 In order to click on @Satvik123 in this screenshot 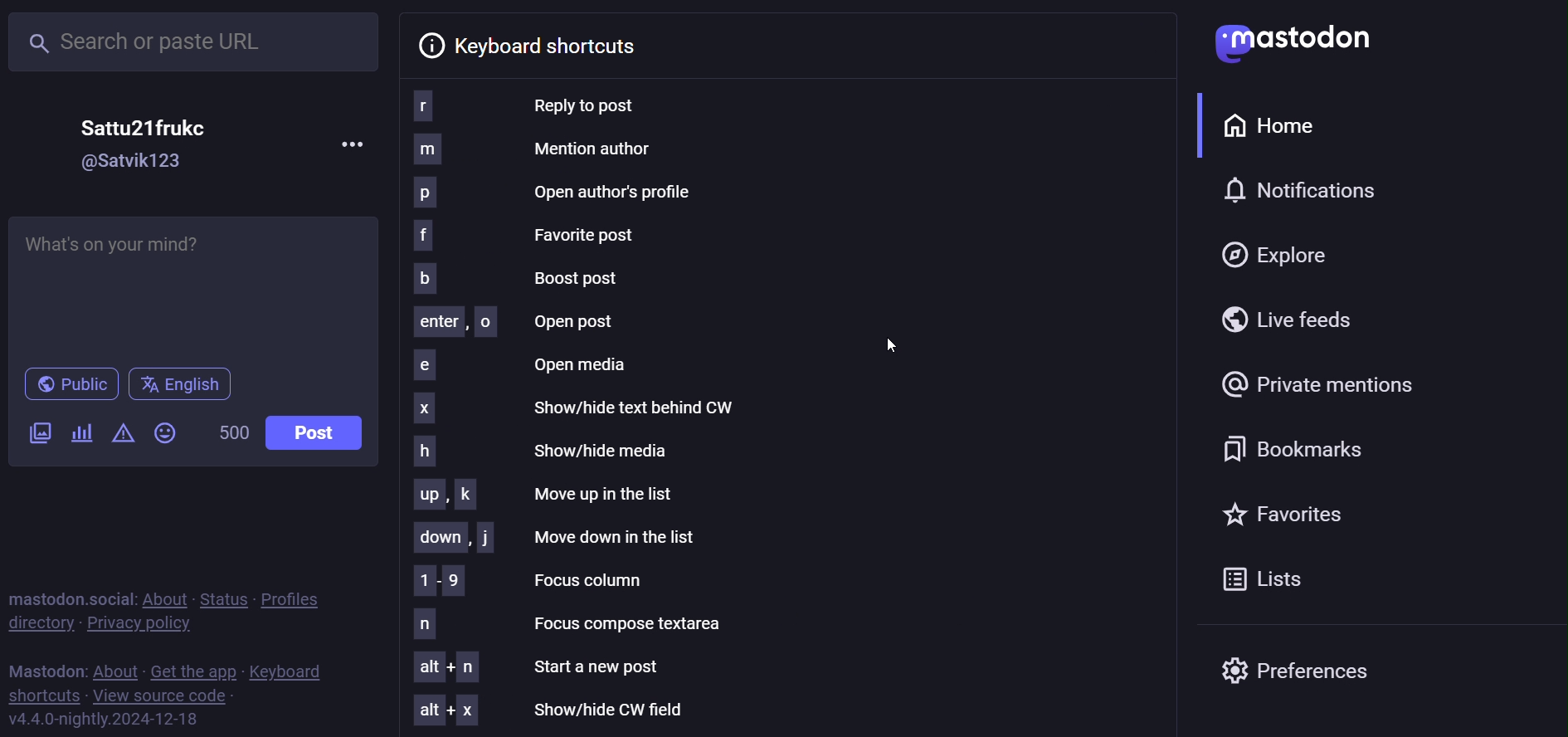, I will do `click(134, 159)`.